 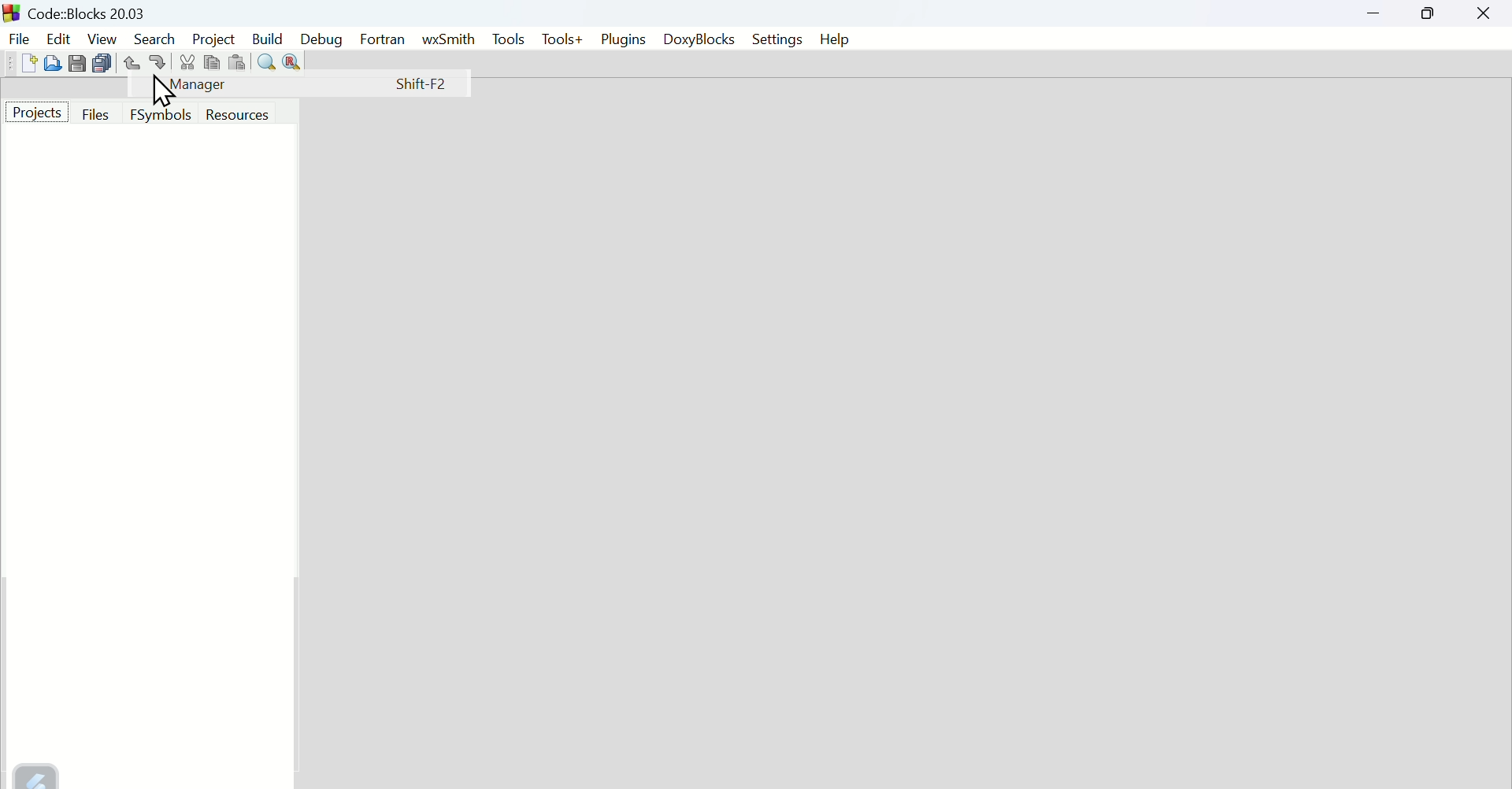 What do you see at coordinates (161, 91) in the screenshot?
I see `Cursor` at bounding box center [161, 91].